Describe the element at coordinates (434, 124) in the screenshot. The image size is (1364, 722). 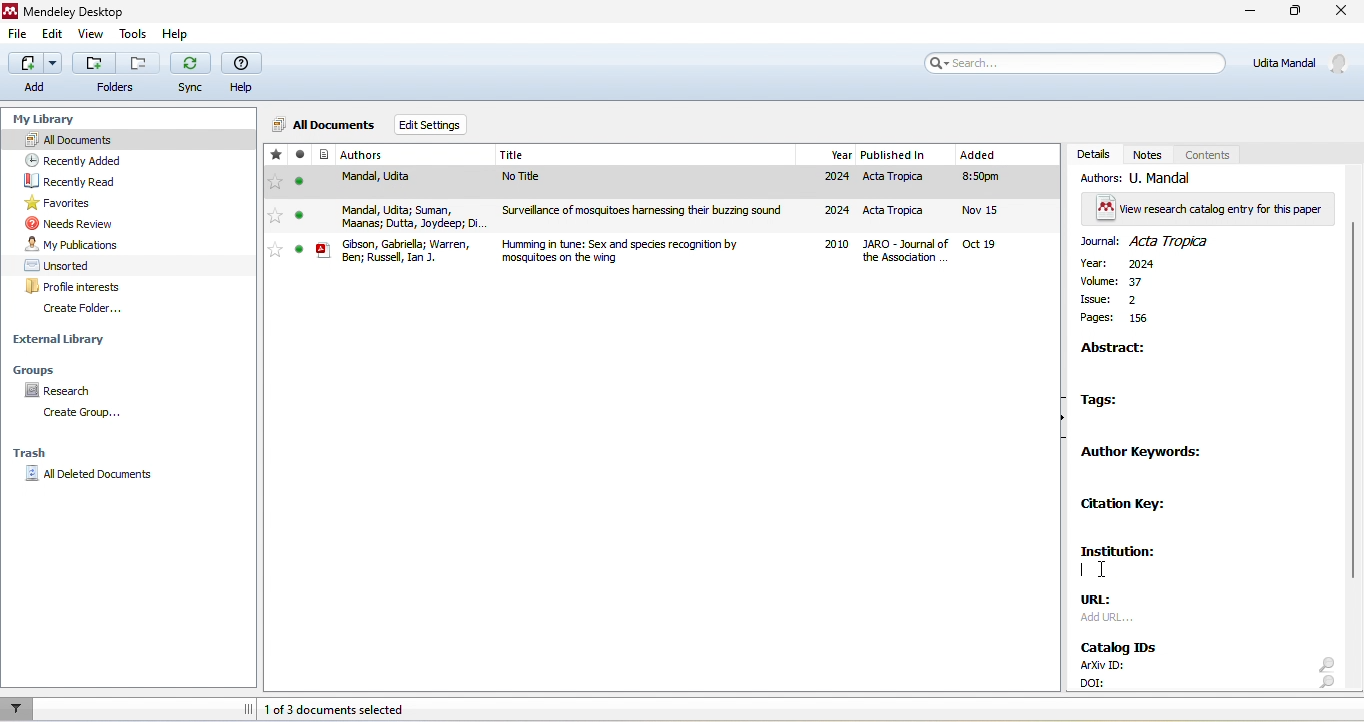
I see `edit setting` at that location.